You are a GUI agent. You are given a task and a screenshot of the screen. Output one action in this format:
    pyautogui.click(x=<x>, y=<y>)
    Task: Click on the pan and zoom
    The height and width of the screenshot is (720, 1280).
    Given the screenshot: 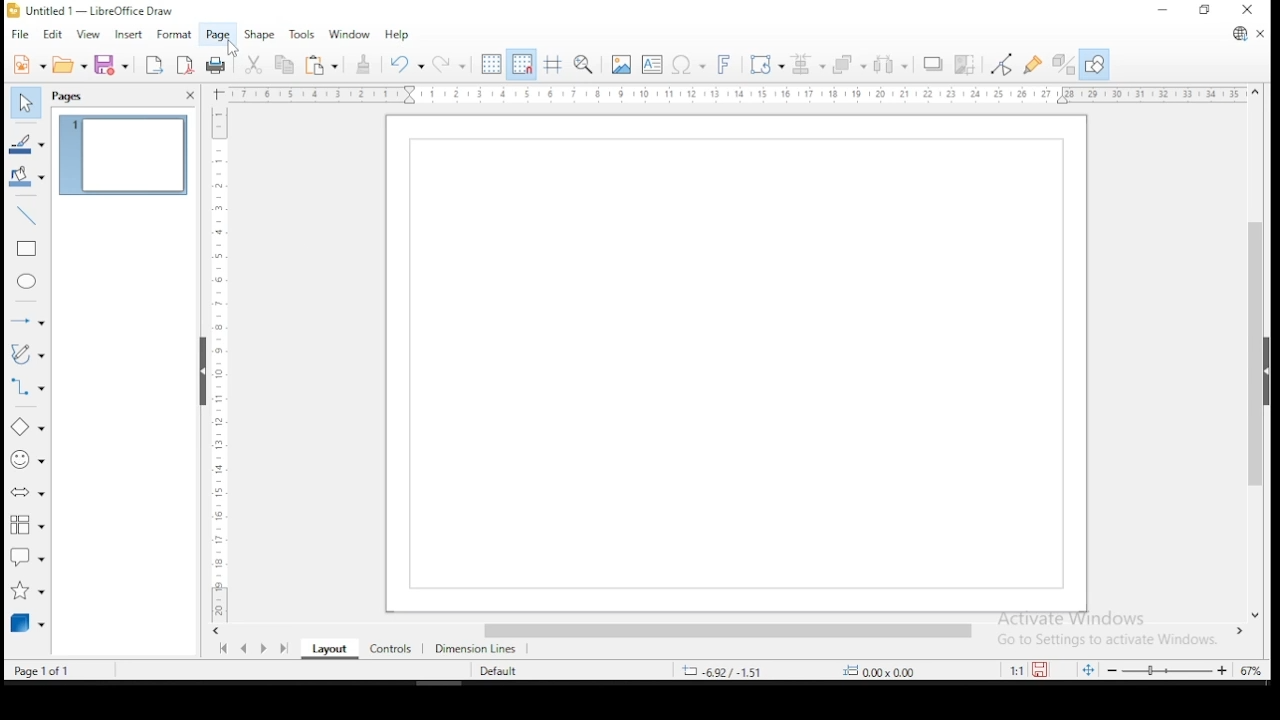 What is the action you would take?
    pyautogui.click(x=584, y=65)
    